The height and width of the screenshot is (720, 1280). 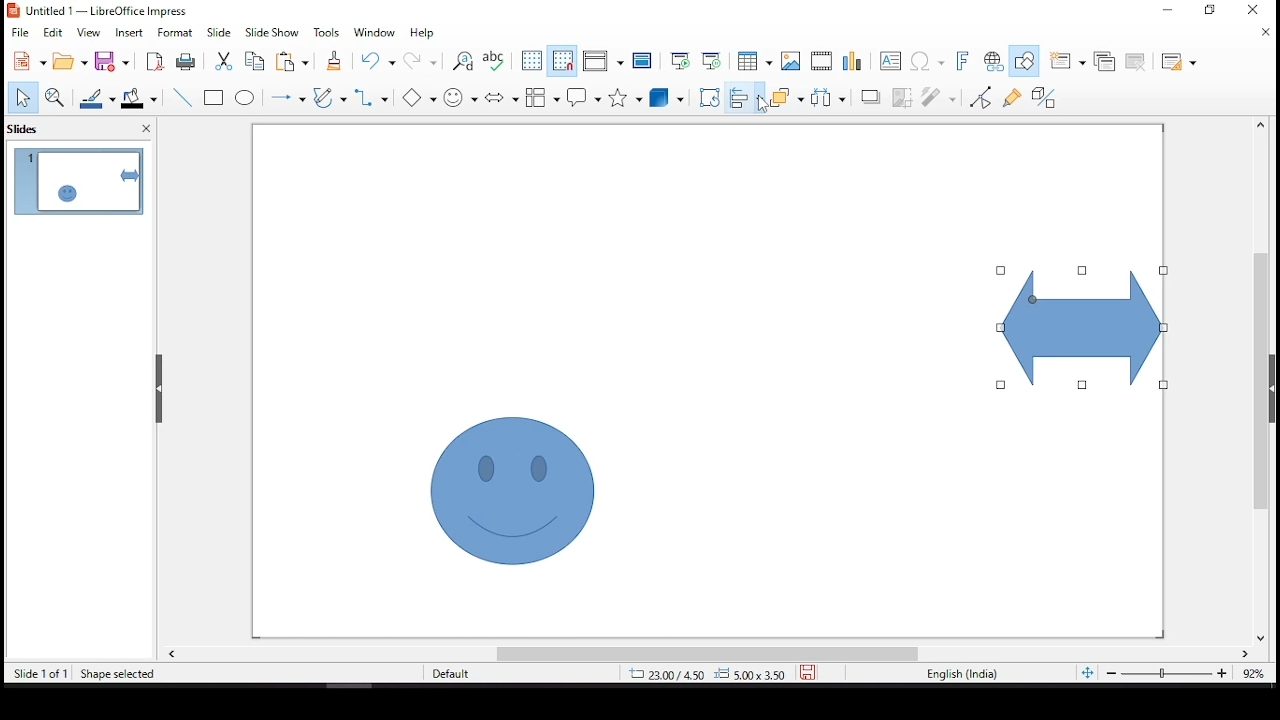 What do you see at coordinates (677, 59) in the screenshot?
I see `start from first slide` at bounding box center [677, 59].